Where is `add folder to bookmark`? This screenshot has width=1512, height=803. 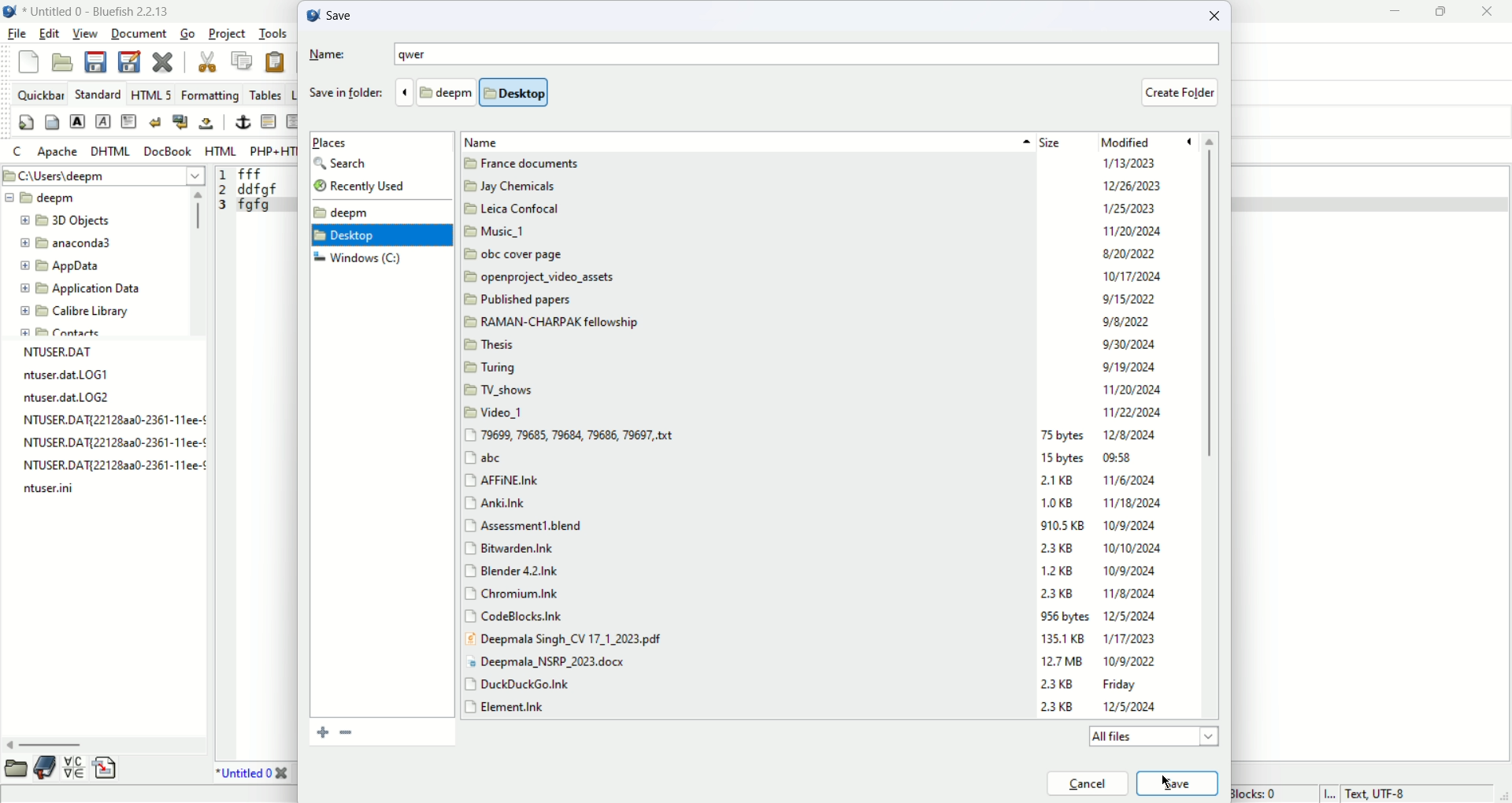
add folder to bookmark is located at coordinates (319, 732).